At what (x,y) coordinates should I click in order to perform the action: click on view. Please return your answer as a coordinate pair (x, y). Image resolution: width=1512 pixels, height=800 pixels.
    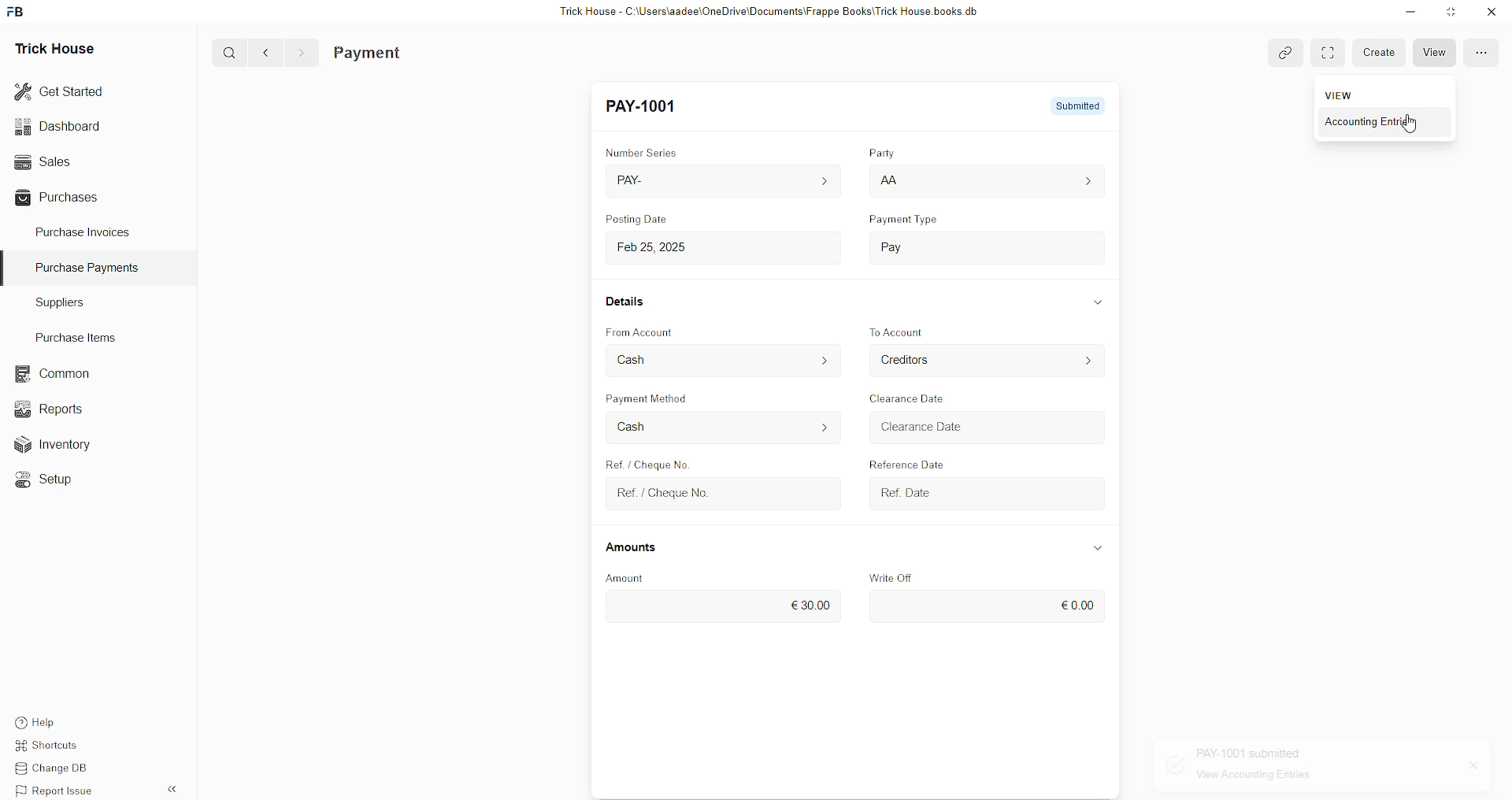
    Looking at the image, I should click on (1440, 53).